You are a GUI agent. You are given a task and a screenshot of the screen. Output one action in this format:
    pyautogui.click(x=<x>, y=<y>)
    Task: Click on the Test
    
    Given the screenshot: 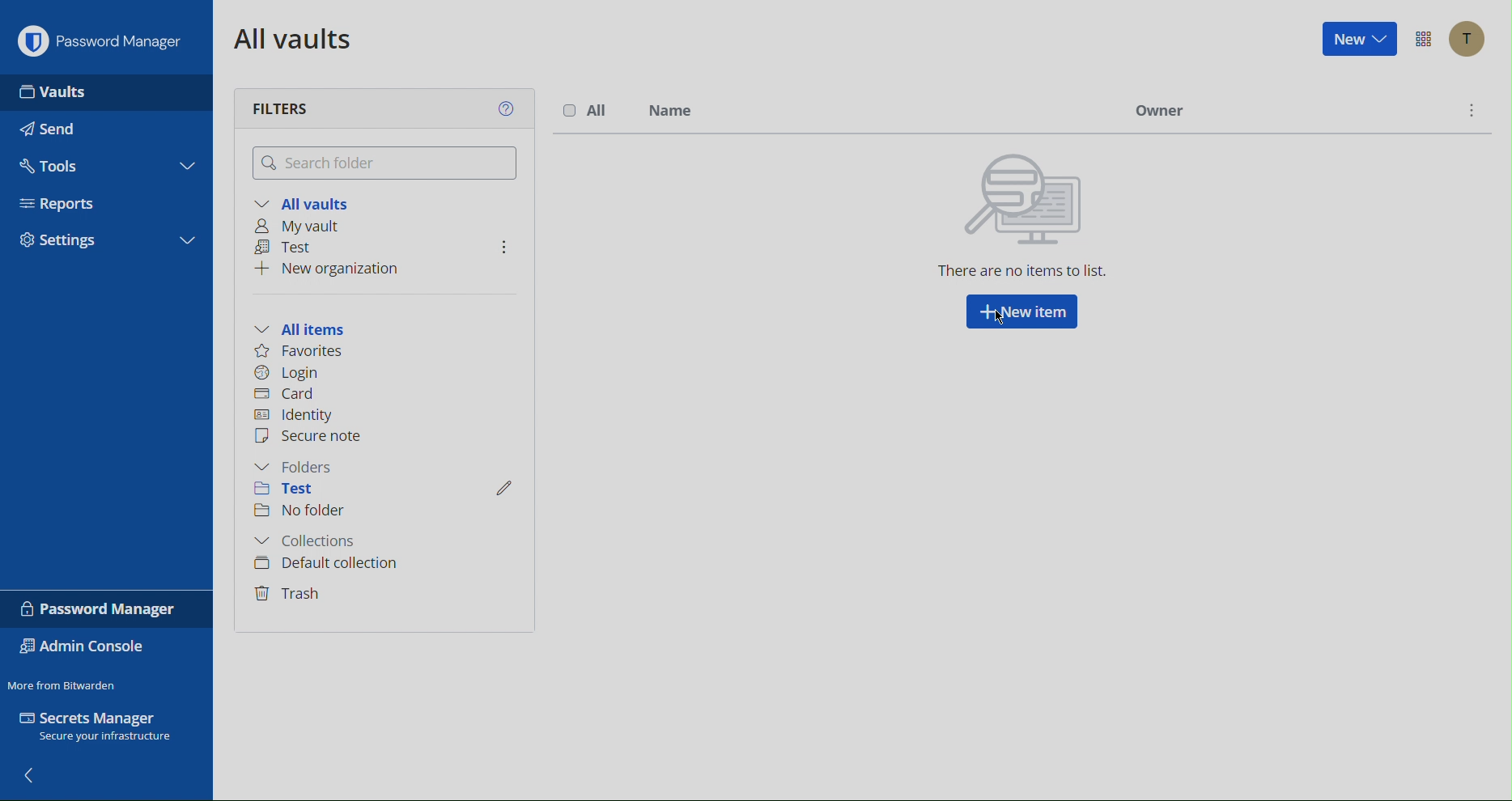 What is the action you would take?
    pyautogui.click(x=289, y=489)
    